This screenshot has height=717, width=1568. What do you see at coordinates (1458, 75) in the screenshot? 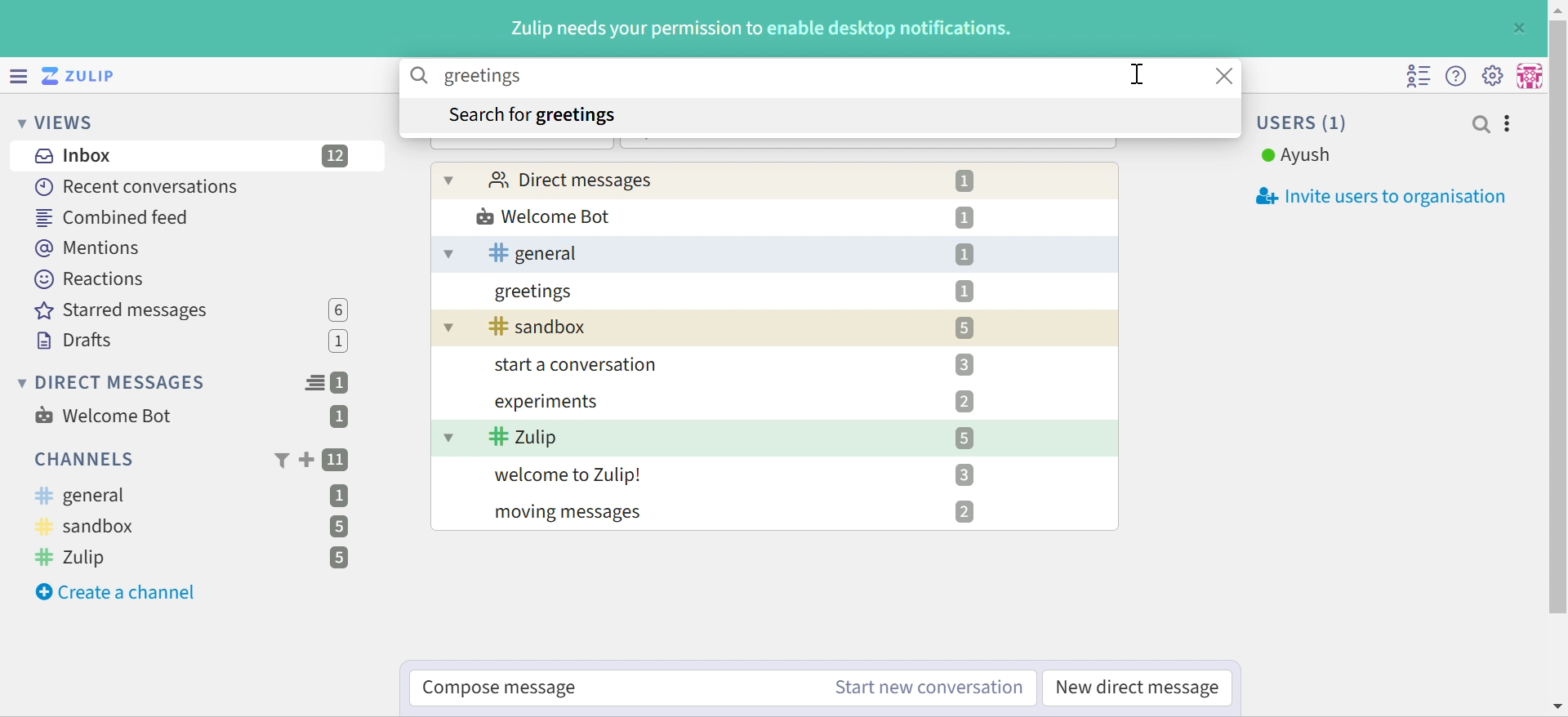
I see `Help menu` at bounding box center [1458, 75].